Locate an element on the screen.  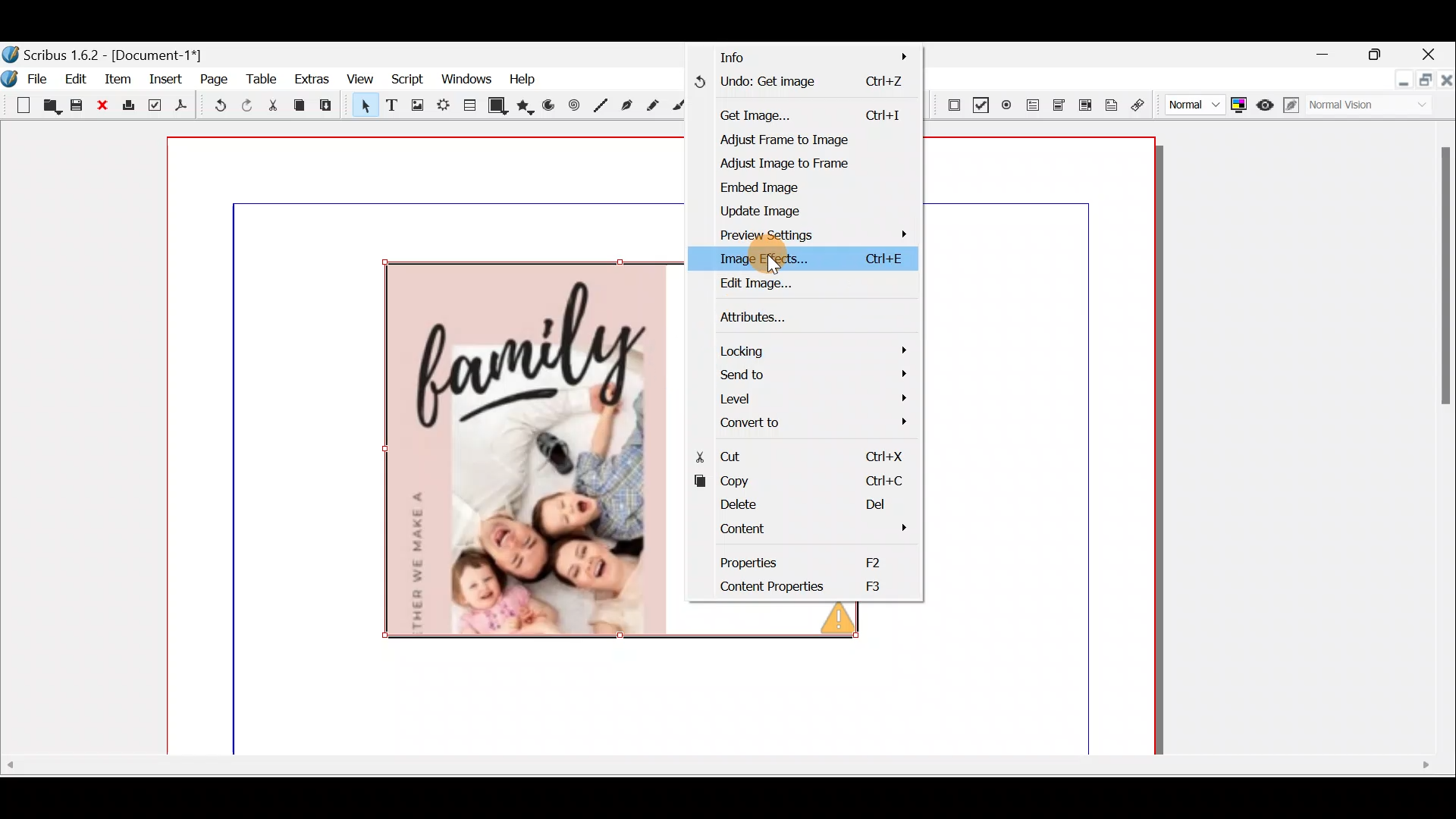
Table is located at coordinates (262, 78).